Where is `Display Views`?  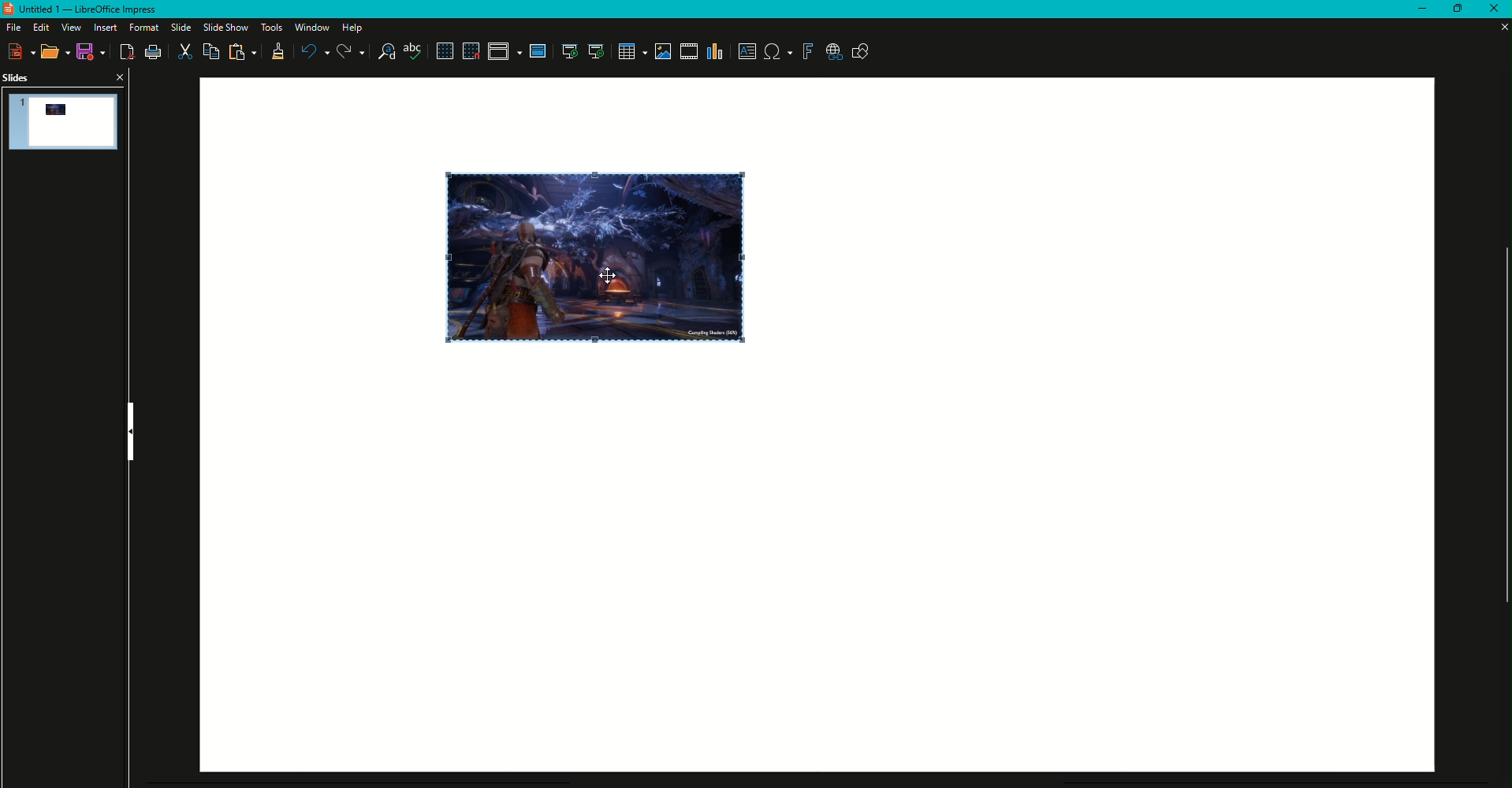 Display Views is located at coordinates (505, 54).